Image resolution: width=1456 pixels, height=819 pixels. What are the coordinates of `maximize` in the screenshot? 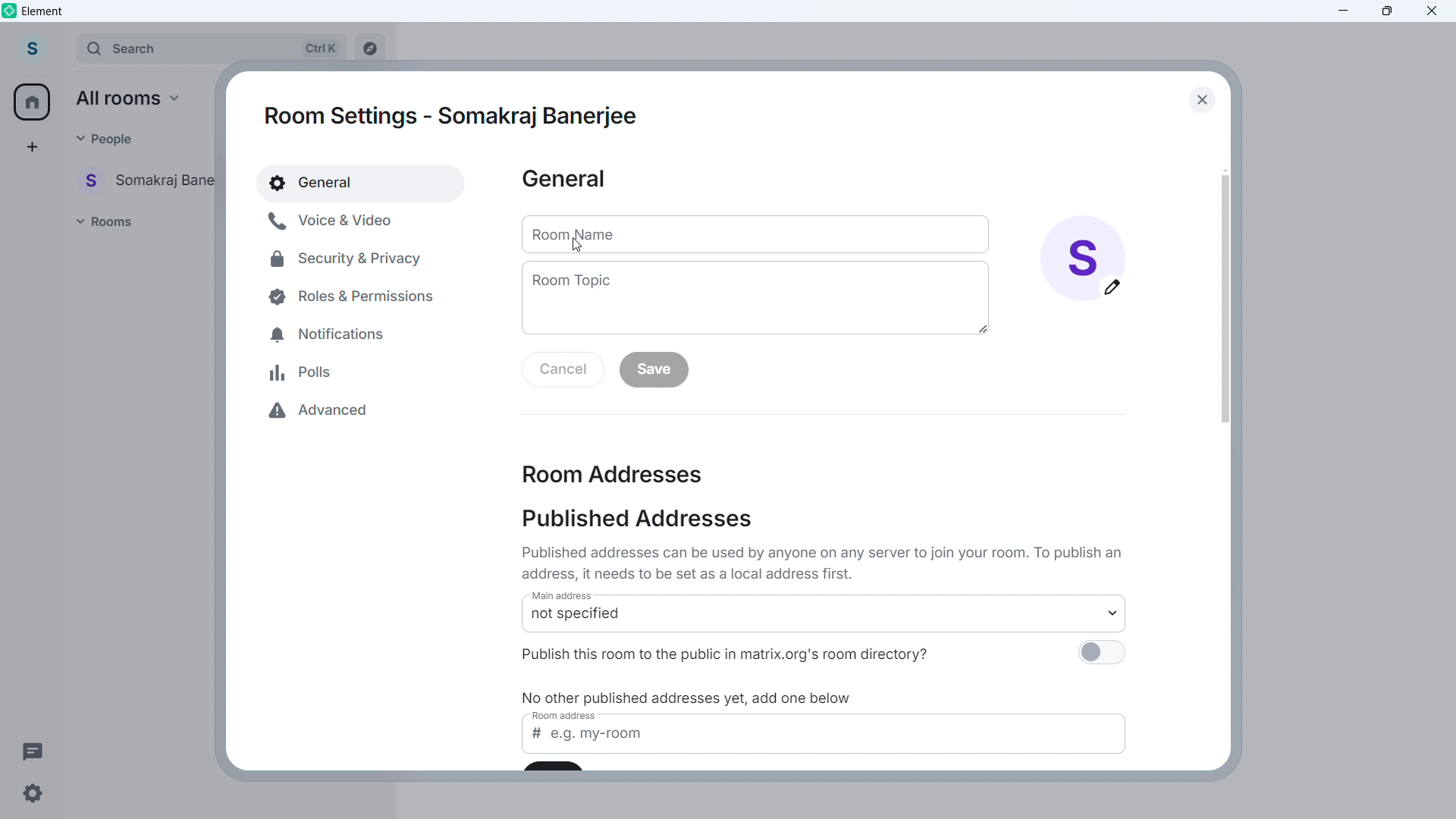 It's located at (1385, 12).